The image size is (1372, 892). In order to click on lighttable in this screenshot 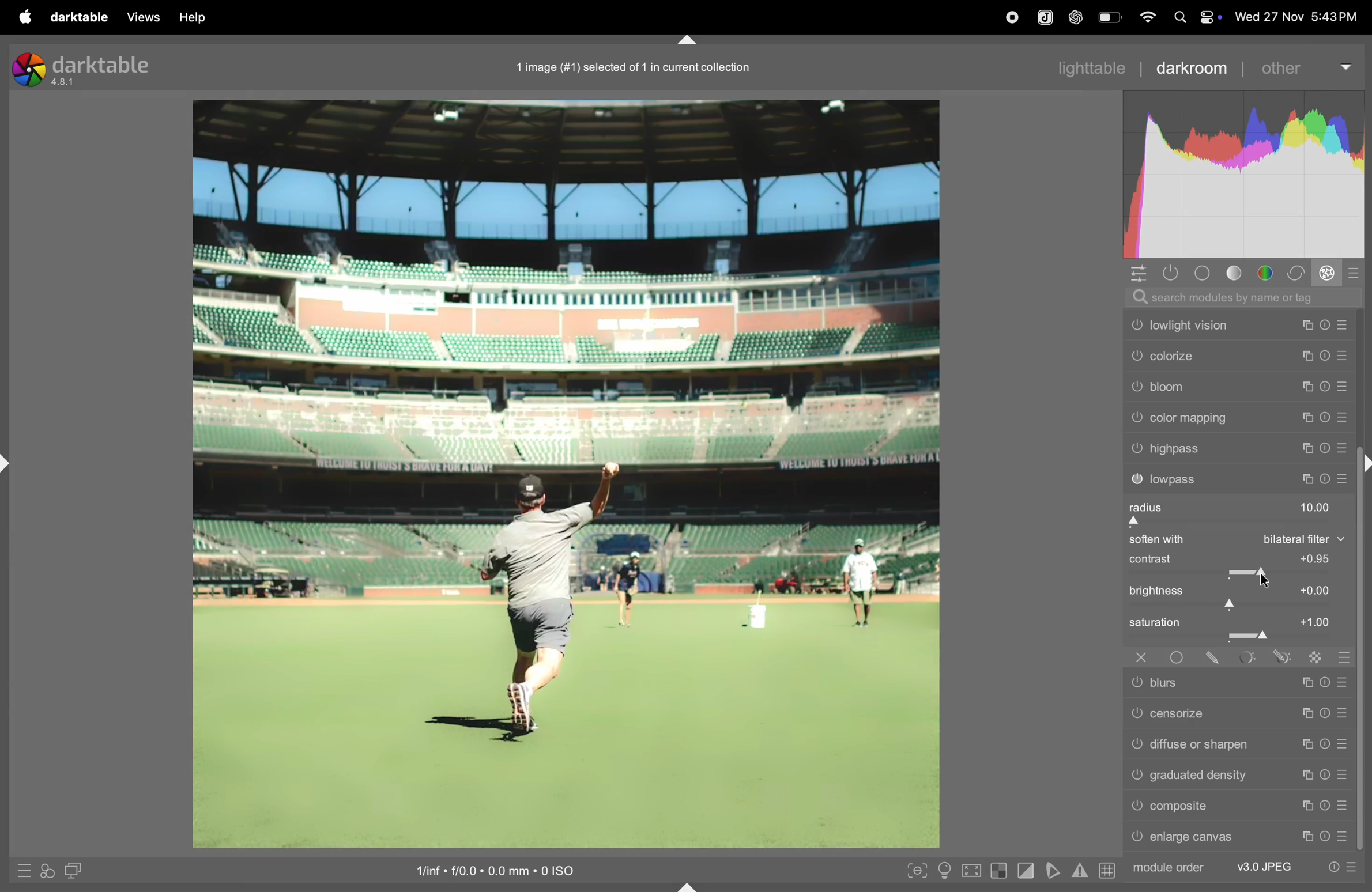, I will do `click(1095, 65)`.